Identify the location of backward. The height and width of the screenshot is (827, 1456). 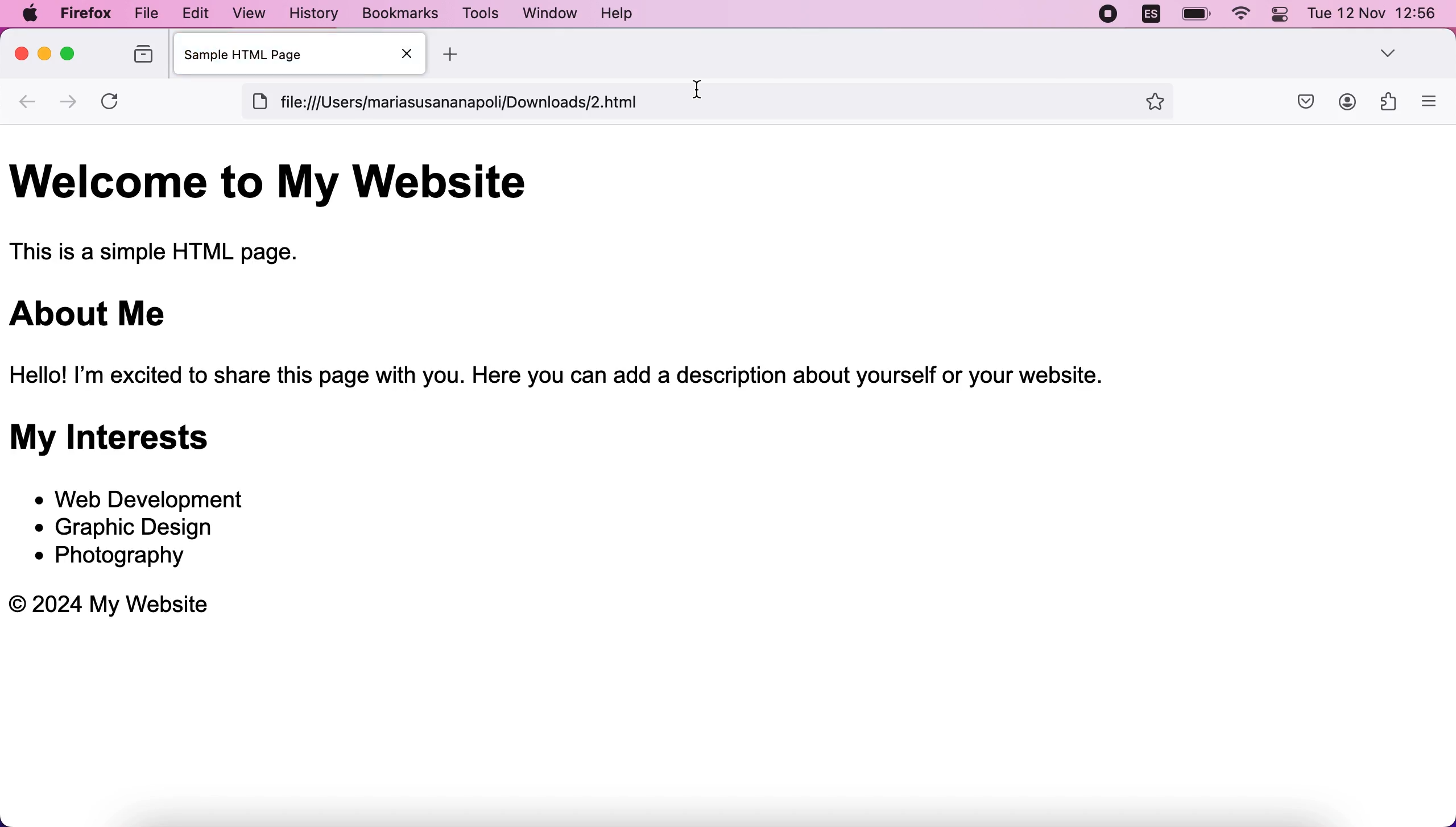
(30, 106).